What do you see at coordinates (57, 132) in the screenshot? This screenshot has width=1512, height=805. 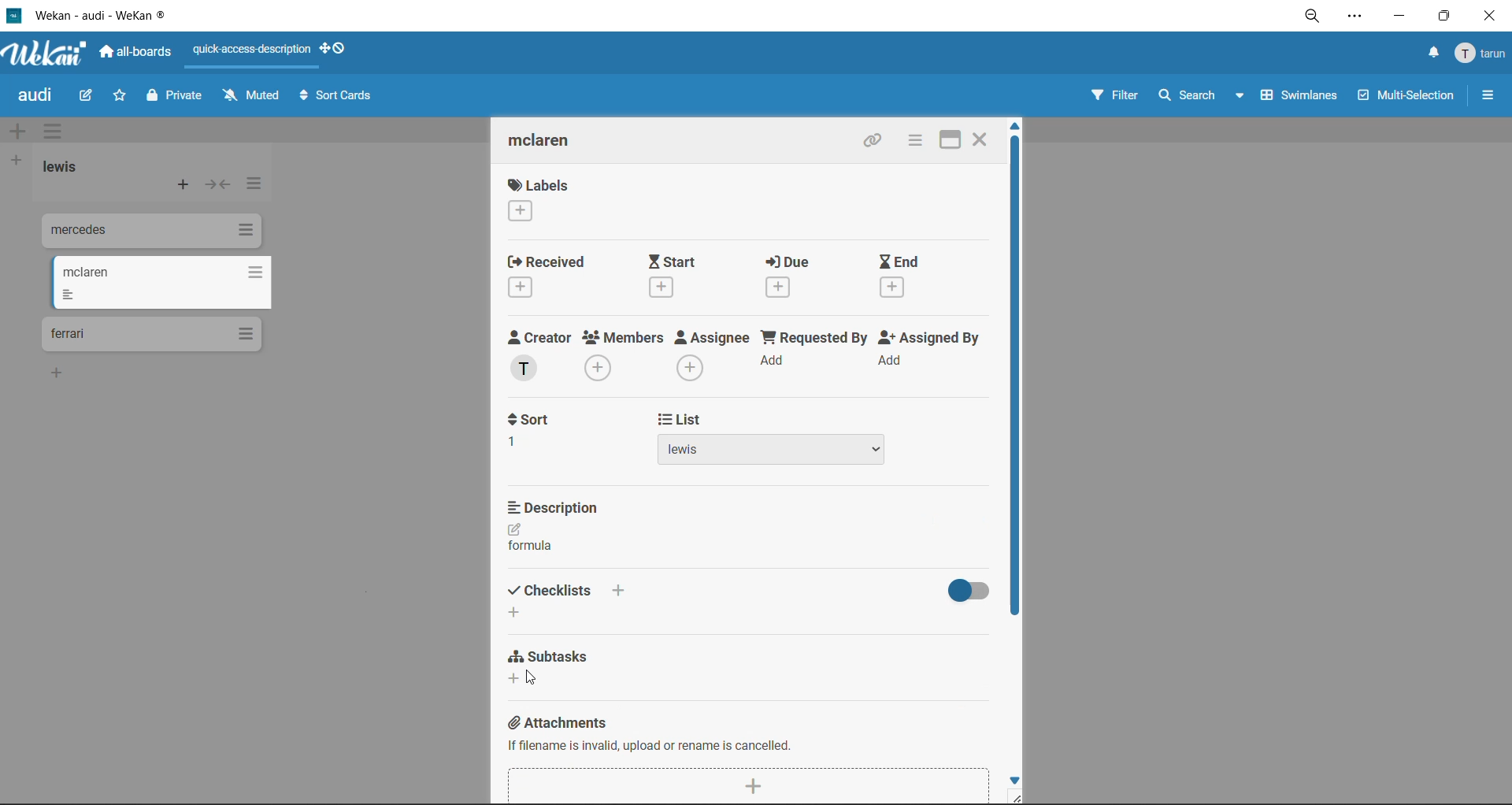 I see `swimlane actions` at bounding box center [57, 132].